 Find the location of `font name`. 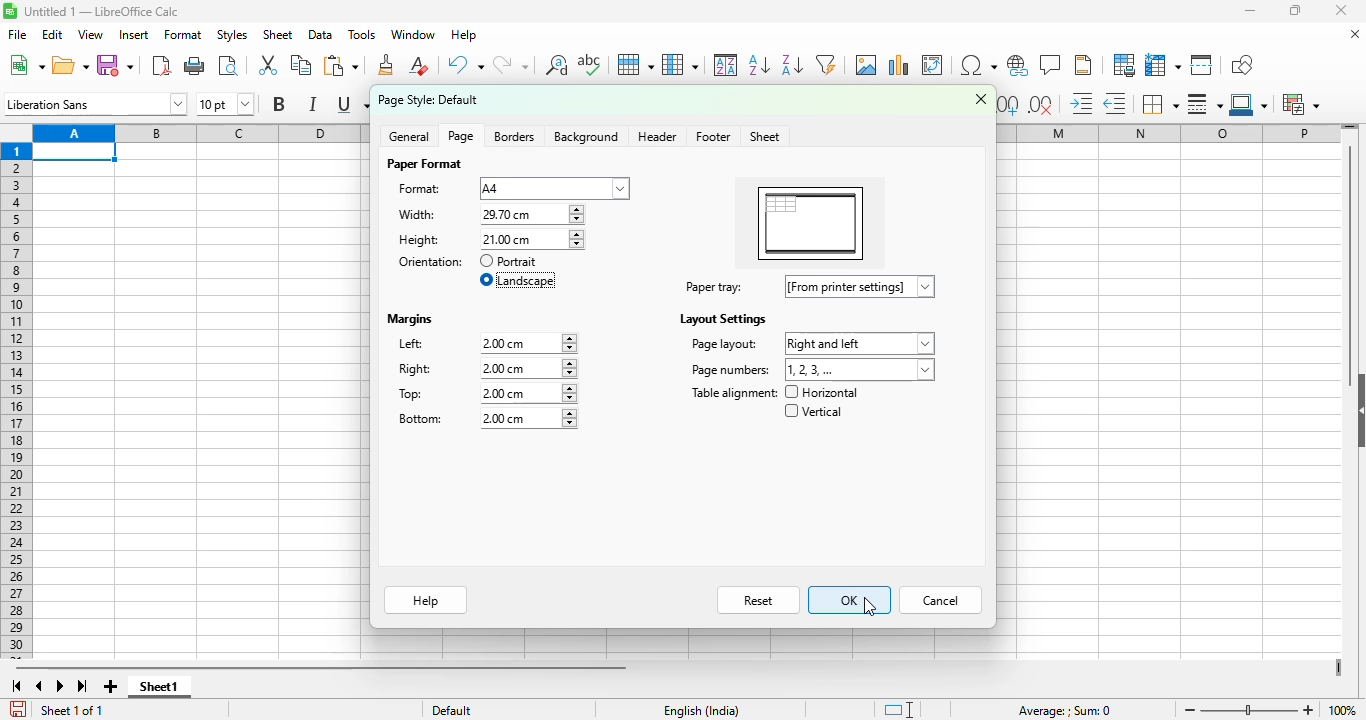

font name is located at coordinates (95, 103).